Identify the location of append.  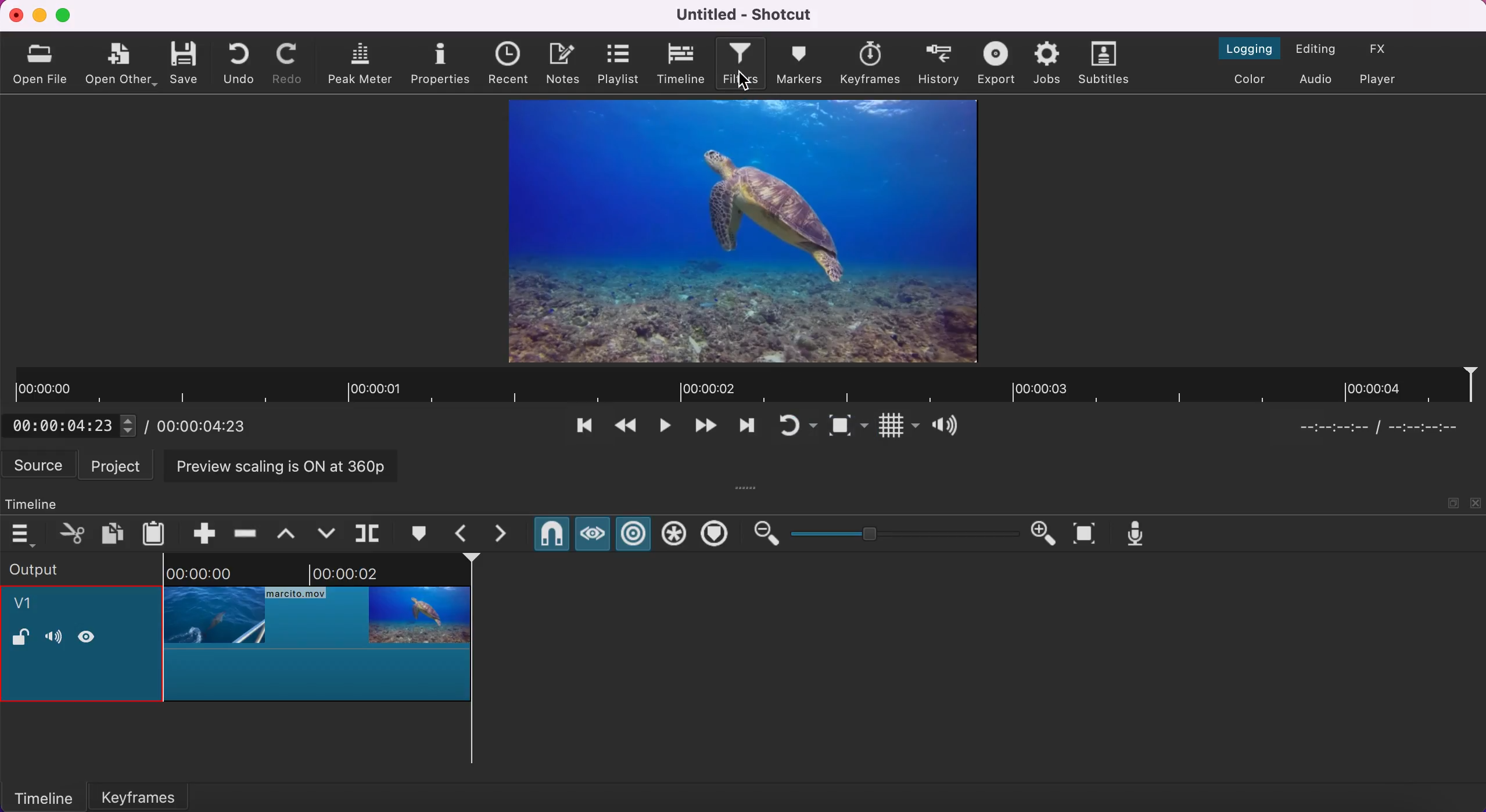
(196, 531).